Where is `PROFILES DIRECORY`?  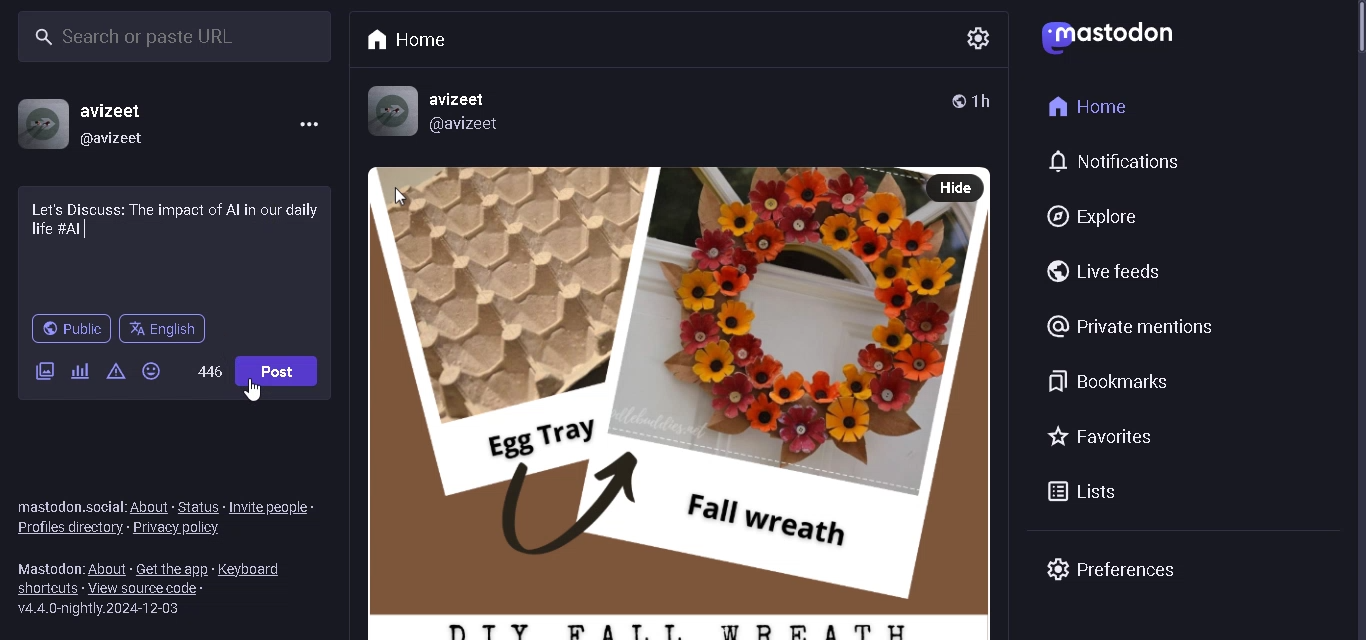
PROFILES DIRECORY is located at coordinates (68, 530).